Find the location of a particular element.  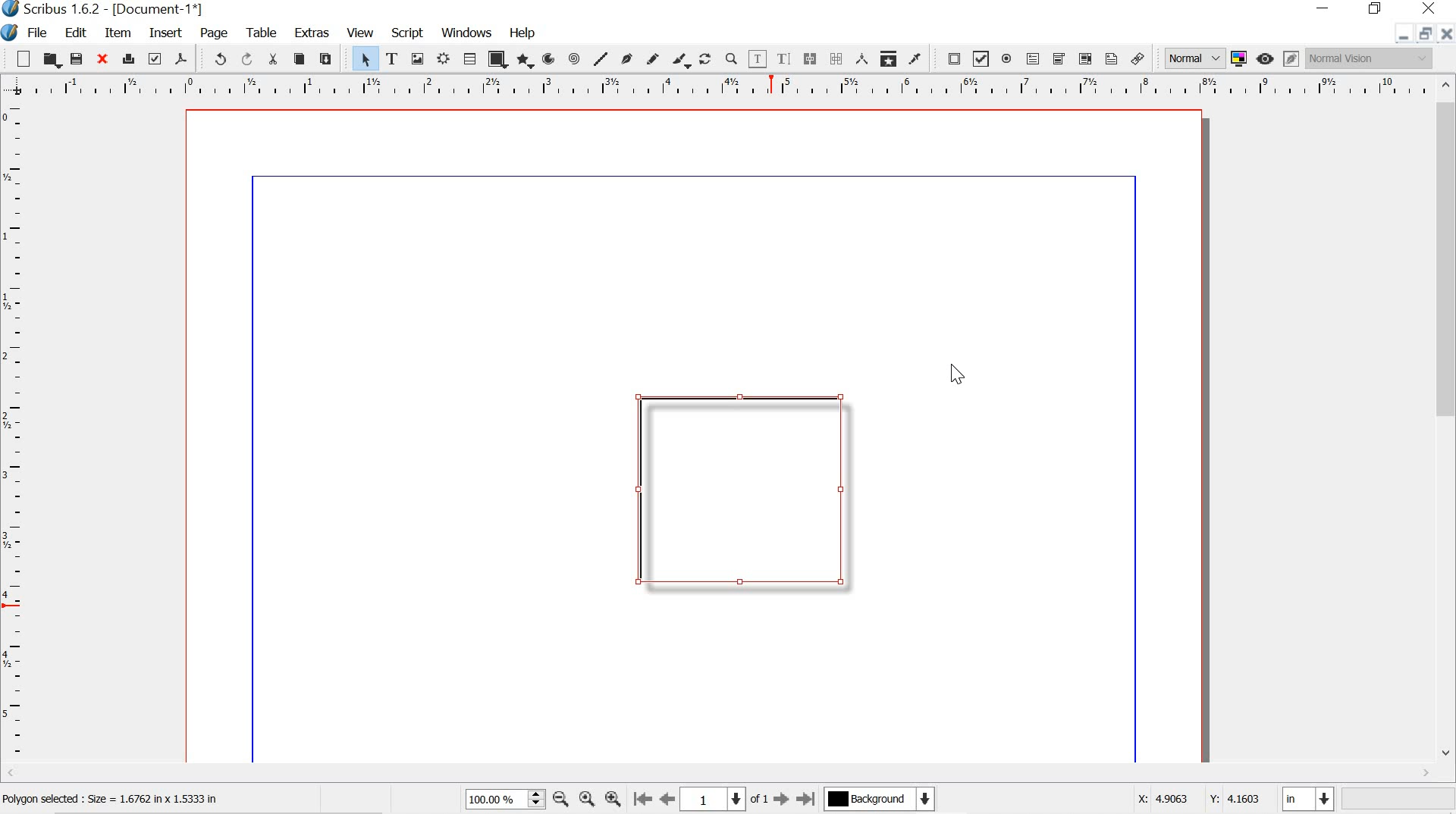

bezier curve is located at coordinates (626, 58).